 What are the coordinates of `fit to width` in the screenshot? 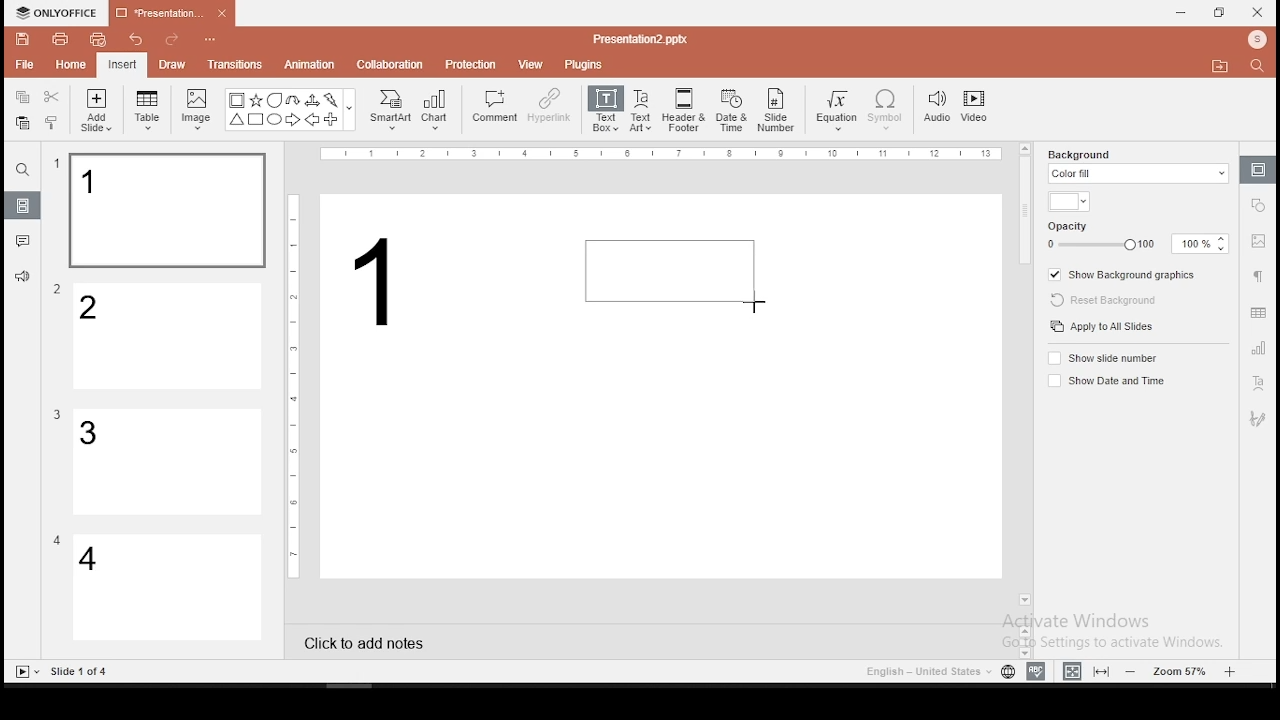 It's located at (1068, 670).